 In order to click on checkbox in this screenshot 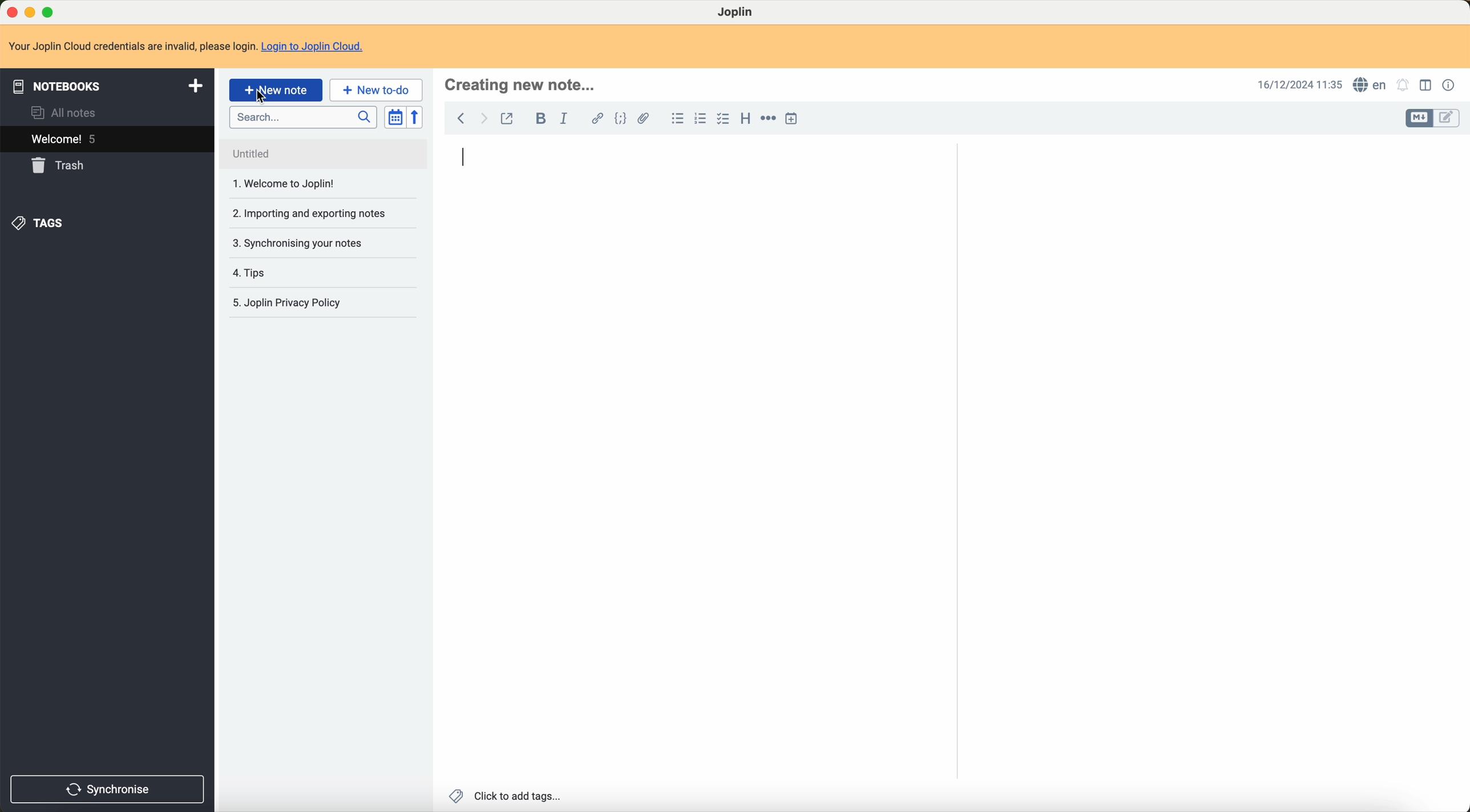, I will do `click(723, 119)`.